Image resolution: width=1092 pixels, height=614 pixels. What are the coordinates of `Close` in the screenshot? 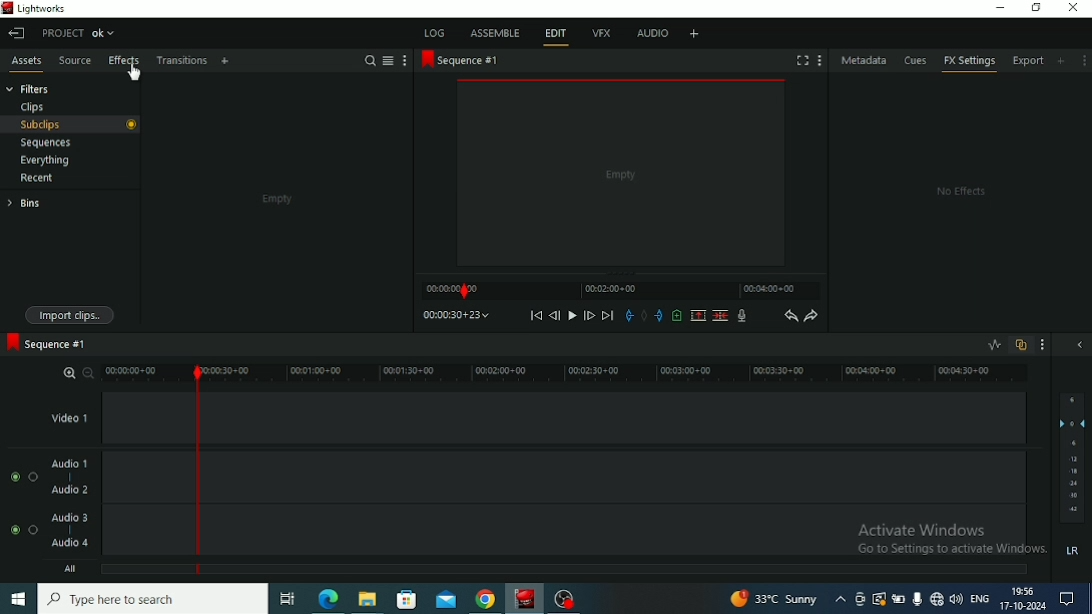 It's located at (1073, 9).